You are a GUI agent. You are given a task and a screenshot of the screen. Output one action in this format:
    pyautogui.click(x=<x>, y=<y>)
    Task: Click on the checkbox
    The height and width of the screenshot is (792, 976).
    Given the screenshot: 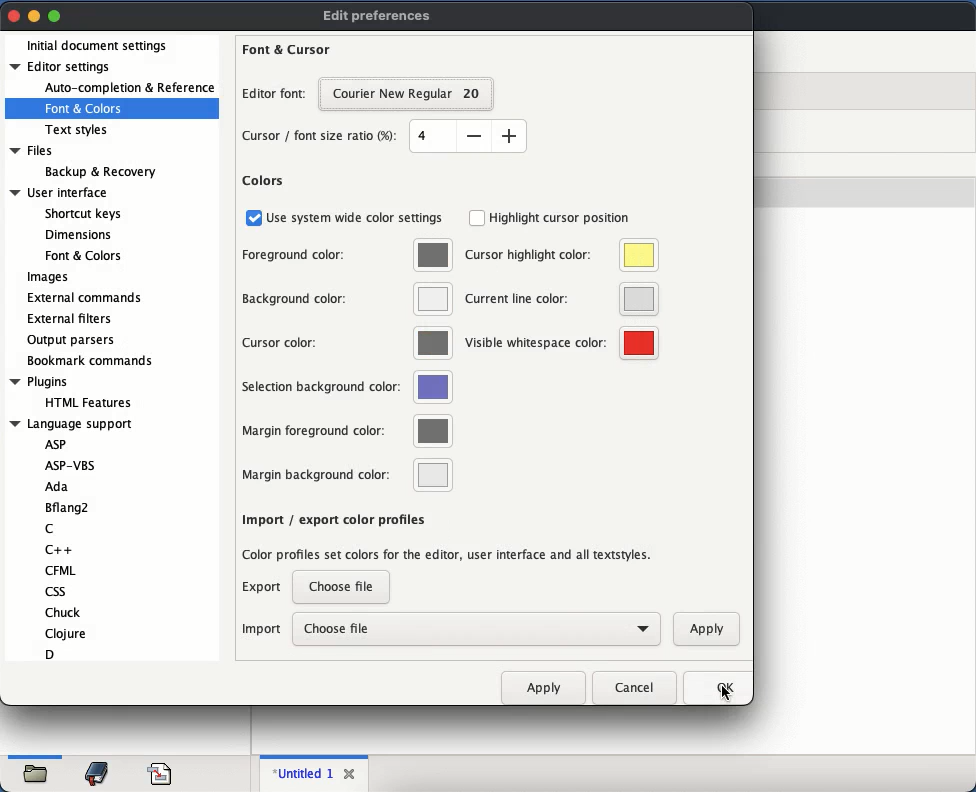 What is the action you would take?
    pyautogui.click(x=476, y=217)
    